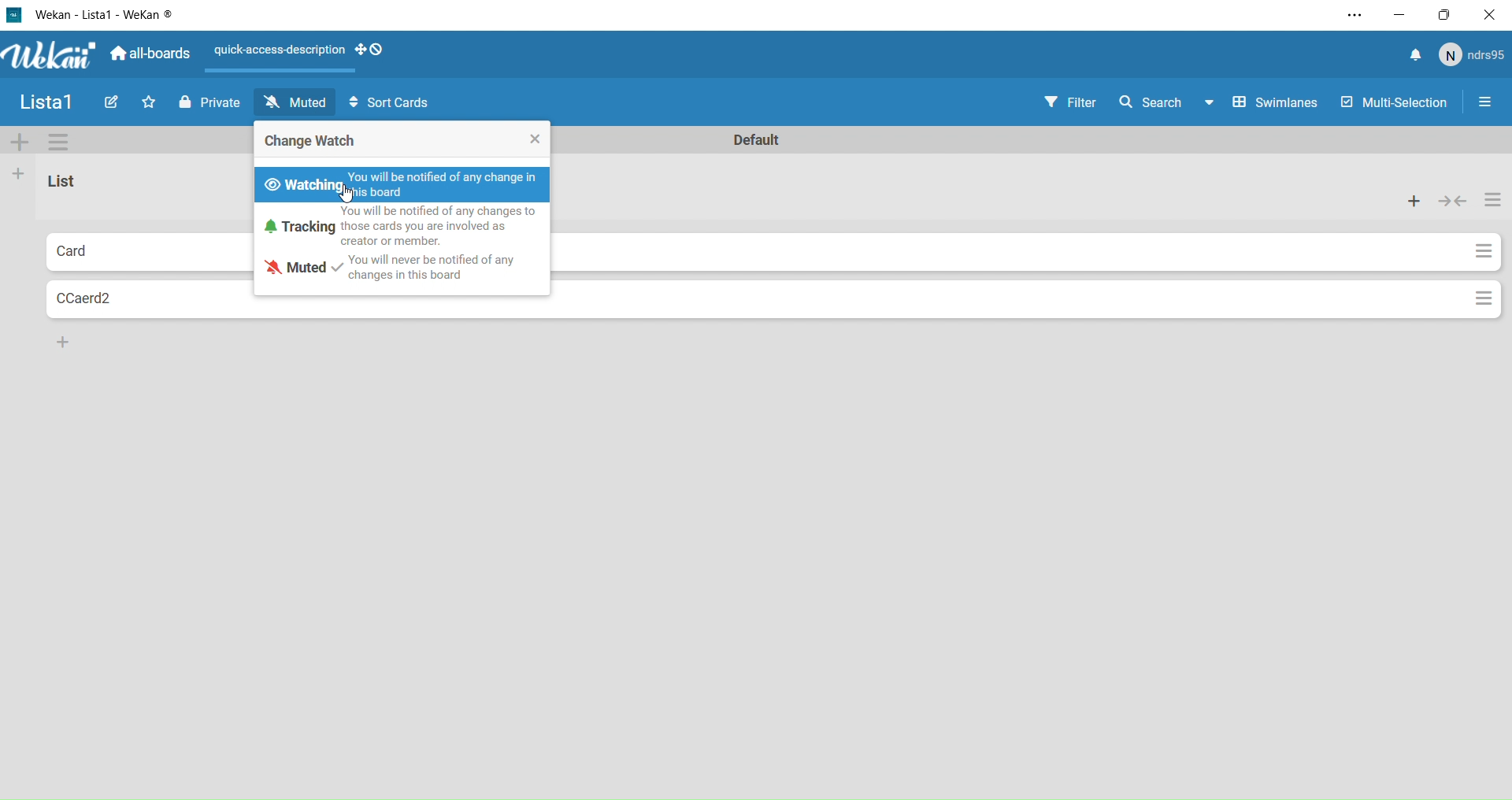 The width and height of the screenshot is (1512, 800). I want to click on Swimlanes, so click(1271, 103).